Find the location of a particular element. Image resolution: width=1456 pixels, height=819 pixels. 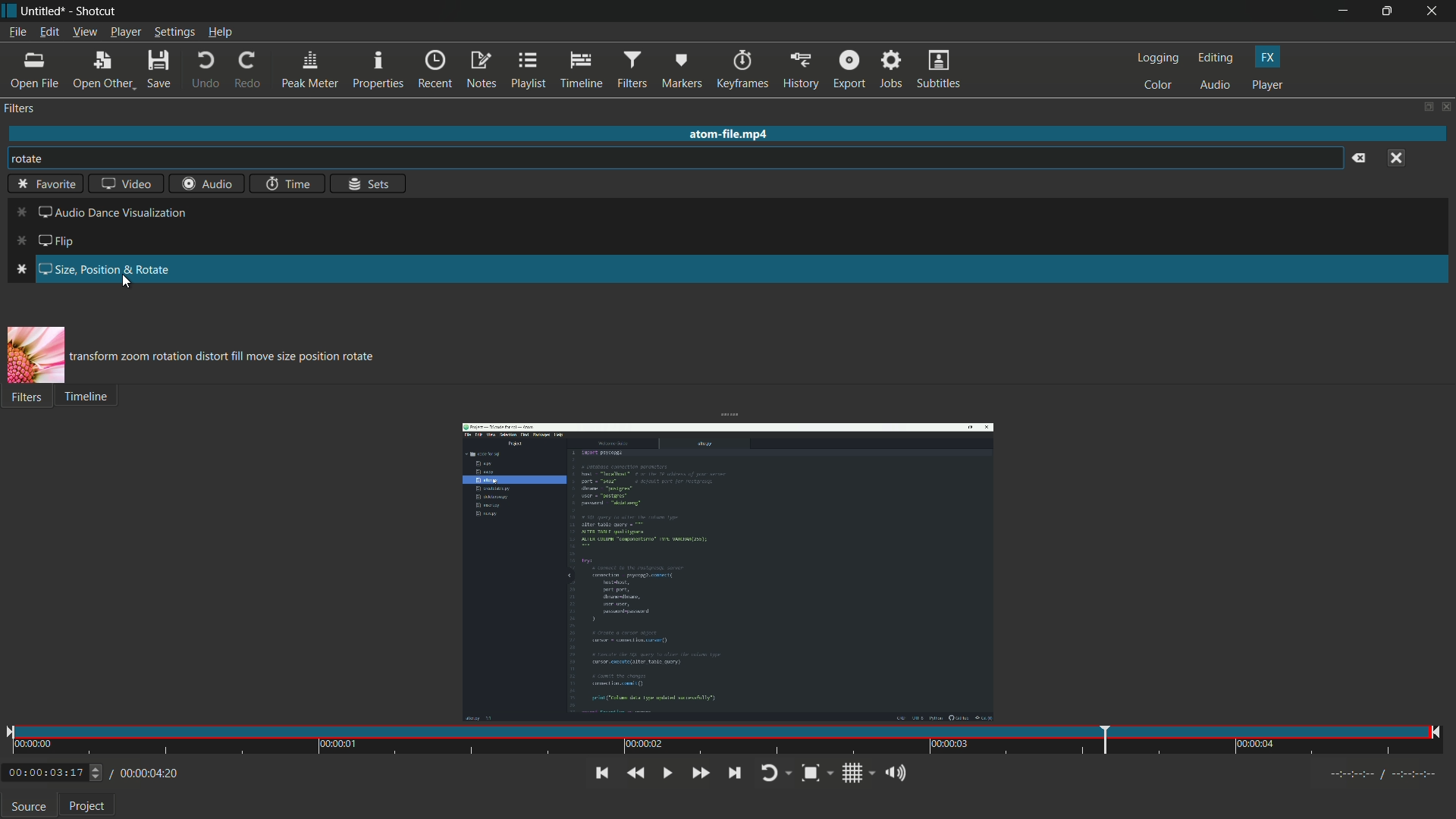

undo is located at coordinates (202, 71).